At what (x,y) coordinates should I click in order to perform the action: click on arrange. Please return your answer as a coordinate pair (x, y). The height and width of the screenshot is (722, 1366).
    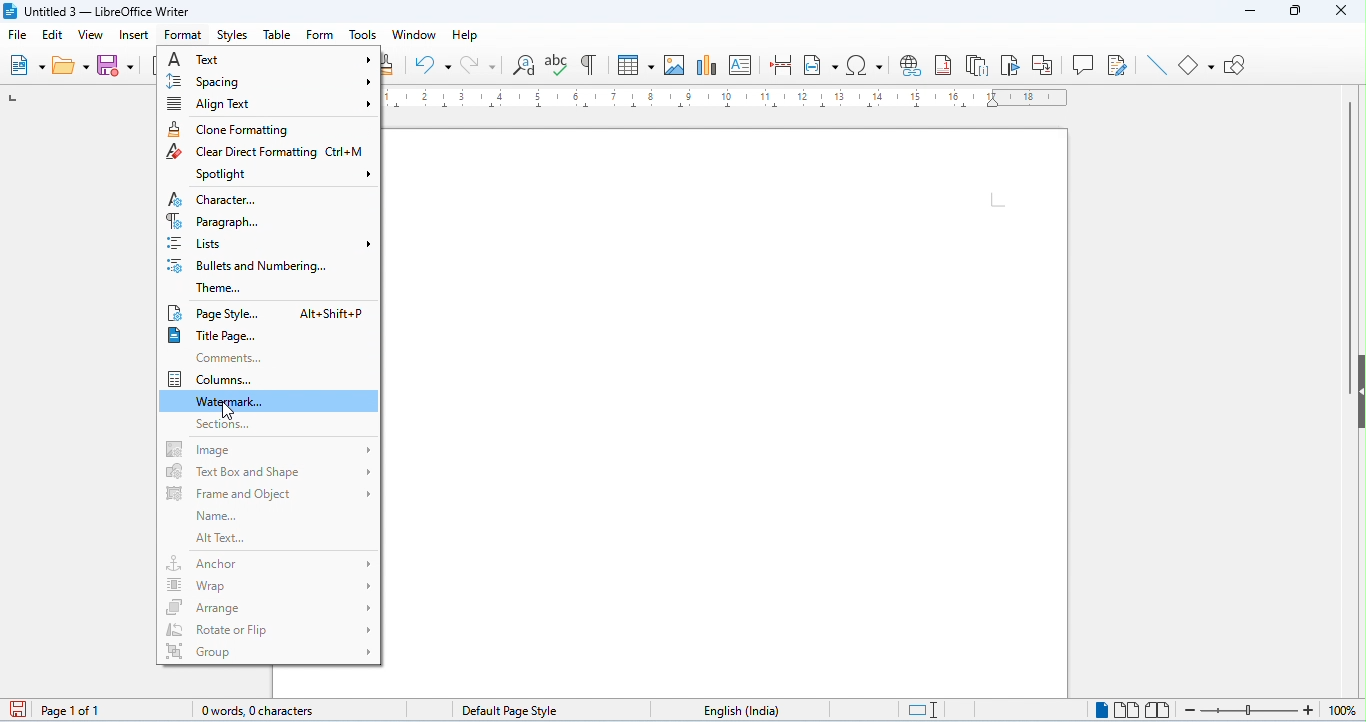
    Looking at the image, I should click on (266, 609).